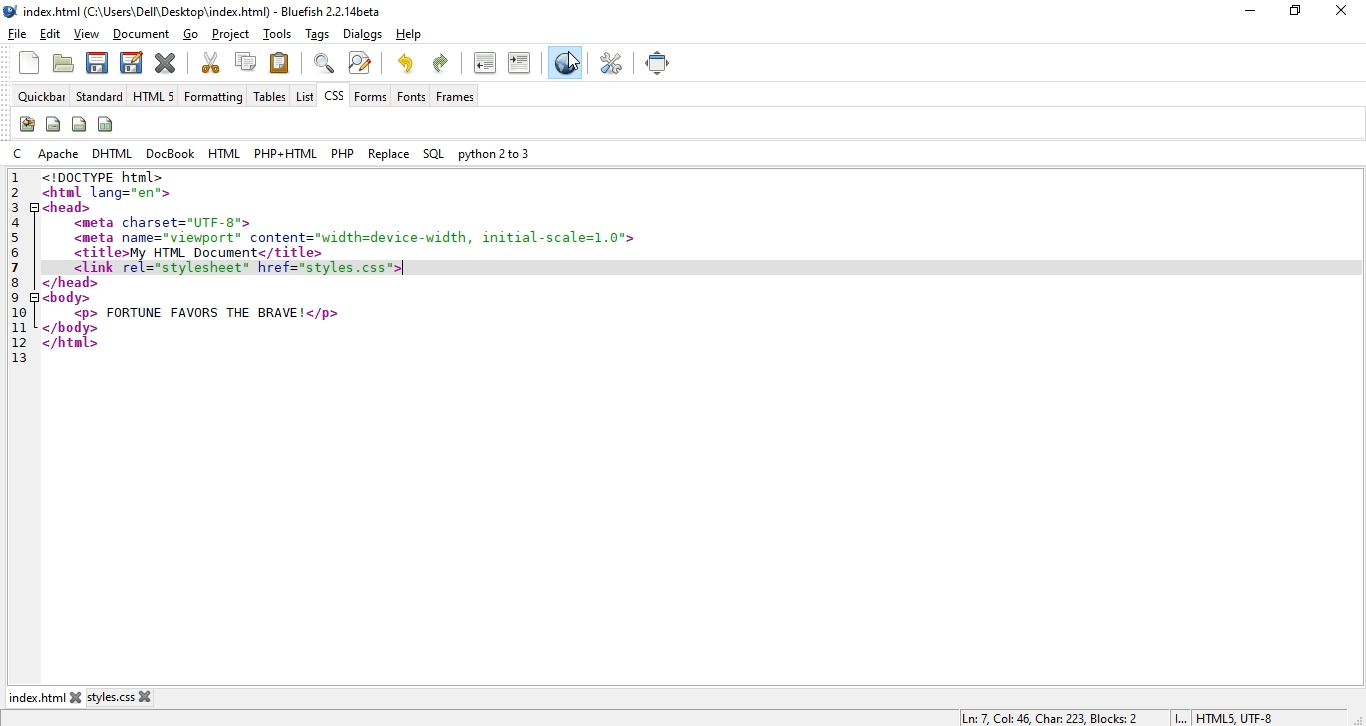  I want to click on HTMLS, UTF-8, so click(1235, 718).